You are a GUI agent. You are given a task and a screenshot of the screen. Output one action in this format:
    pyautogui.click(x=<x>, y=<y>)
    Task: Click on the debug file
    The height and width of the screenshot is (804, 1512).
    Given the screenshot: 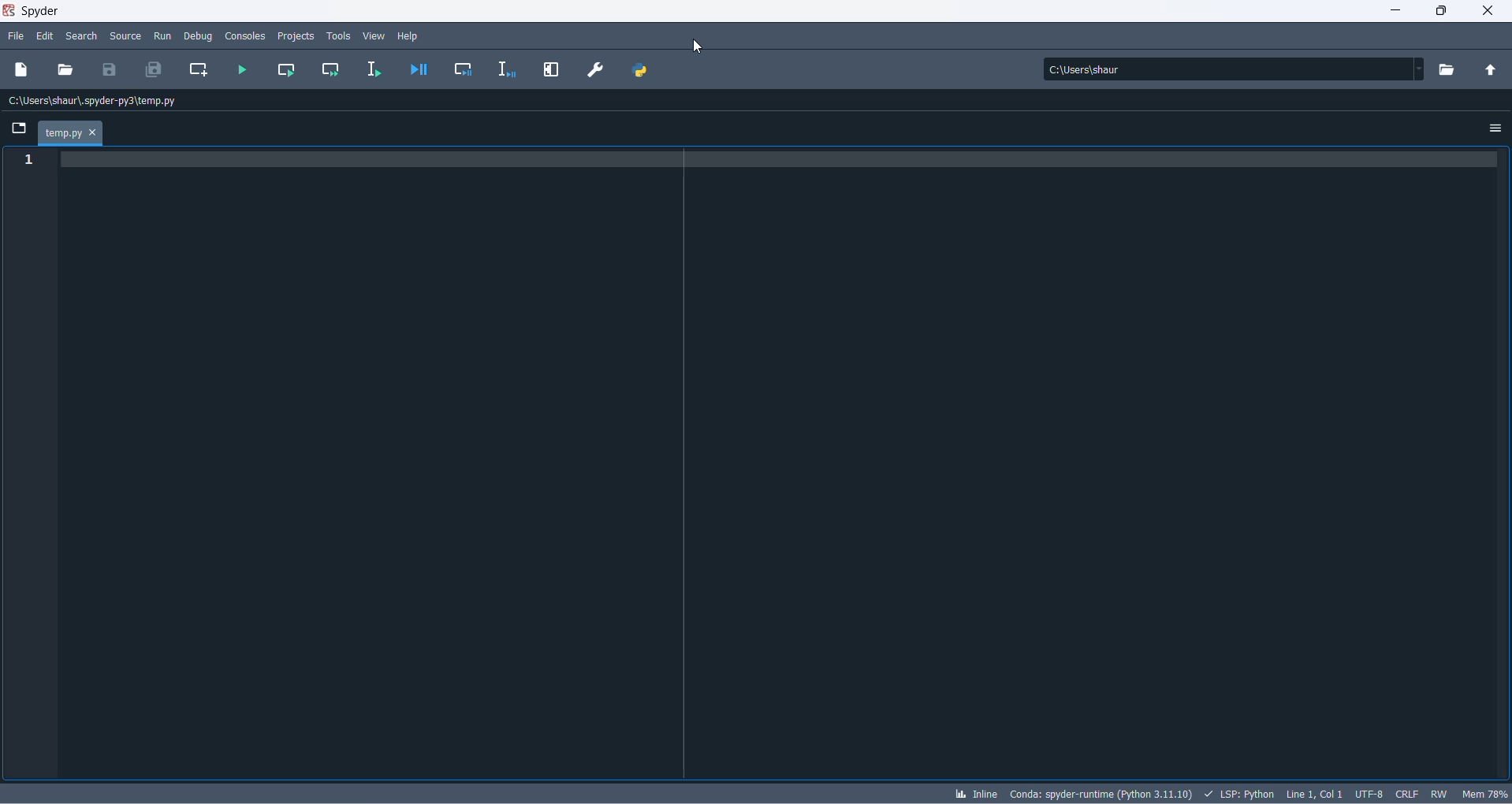 What is the action you would take?
    pyautogui.click(x=415, y=71)
    